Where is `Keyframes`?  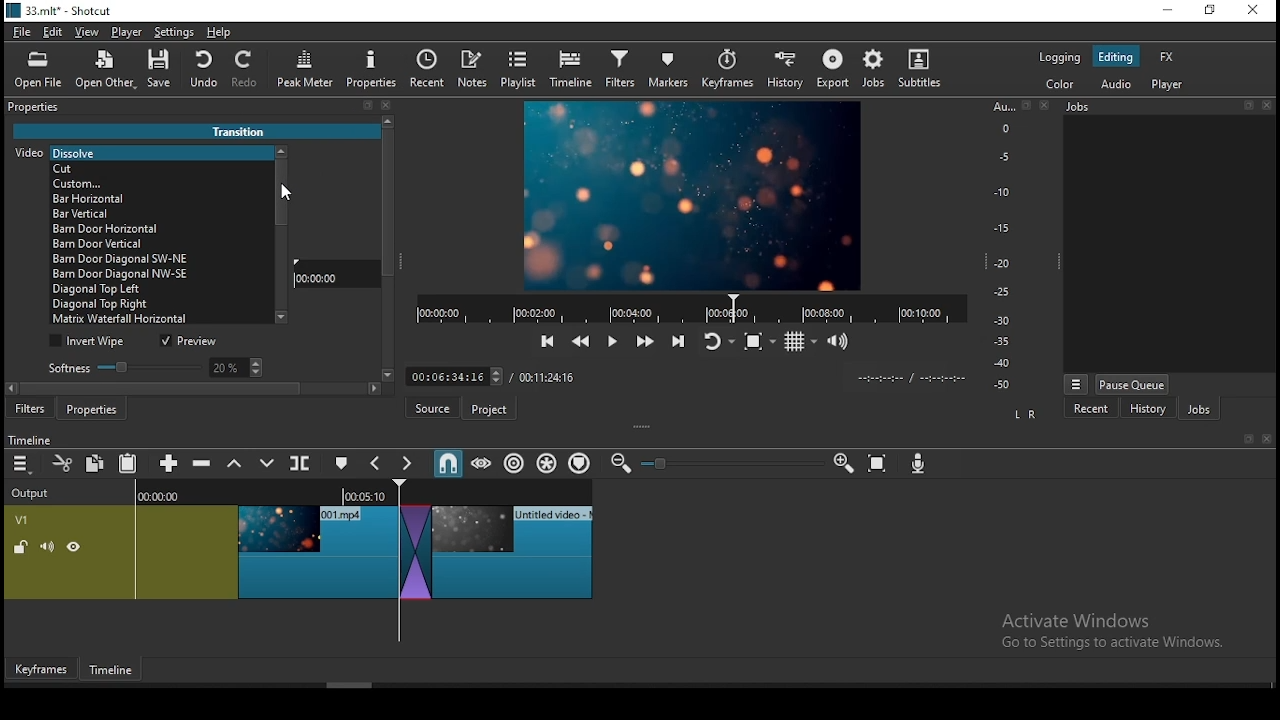
Keyframes is located at coordinates (39, 670).